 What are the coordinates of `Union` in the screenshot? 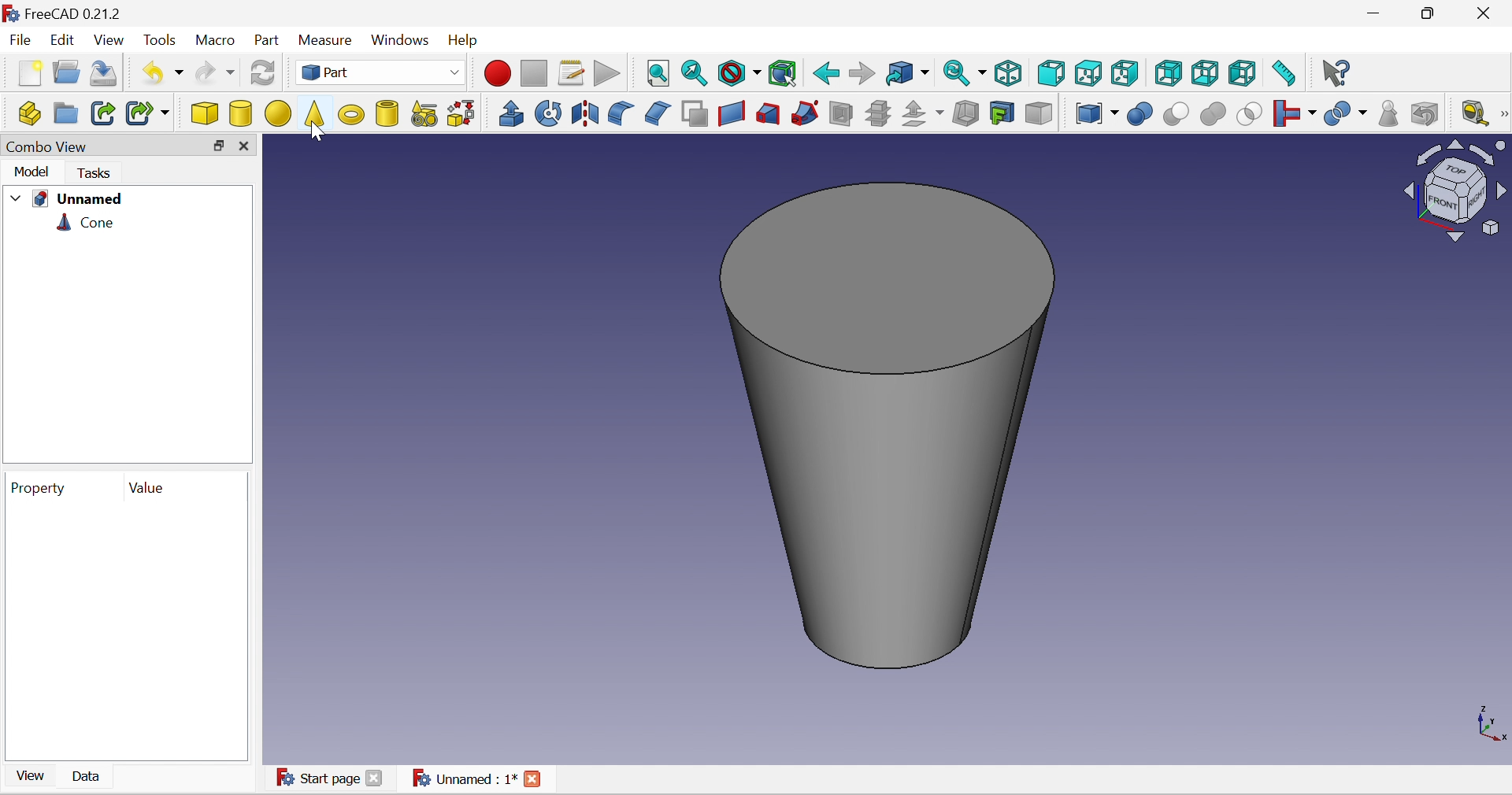 It's located at (1214, 115).